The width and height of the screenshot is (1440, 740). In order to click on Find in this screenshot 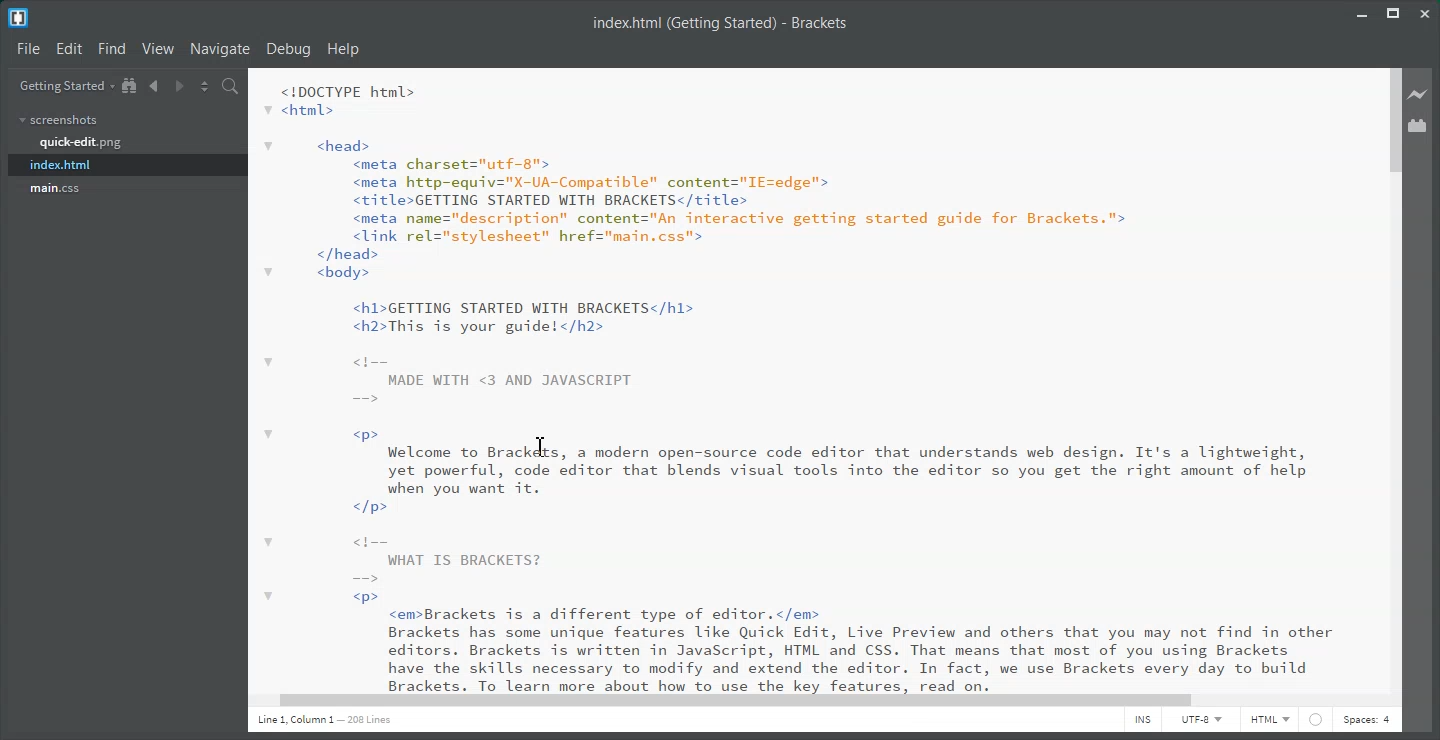, I will do `click(113, 49)`.